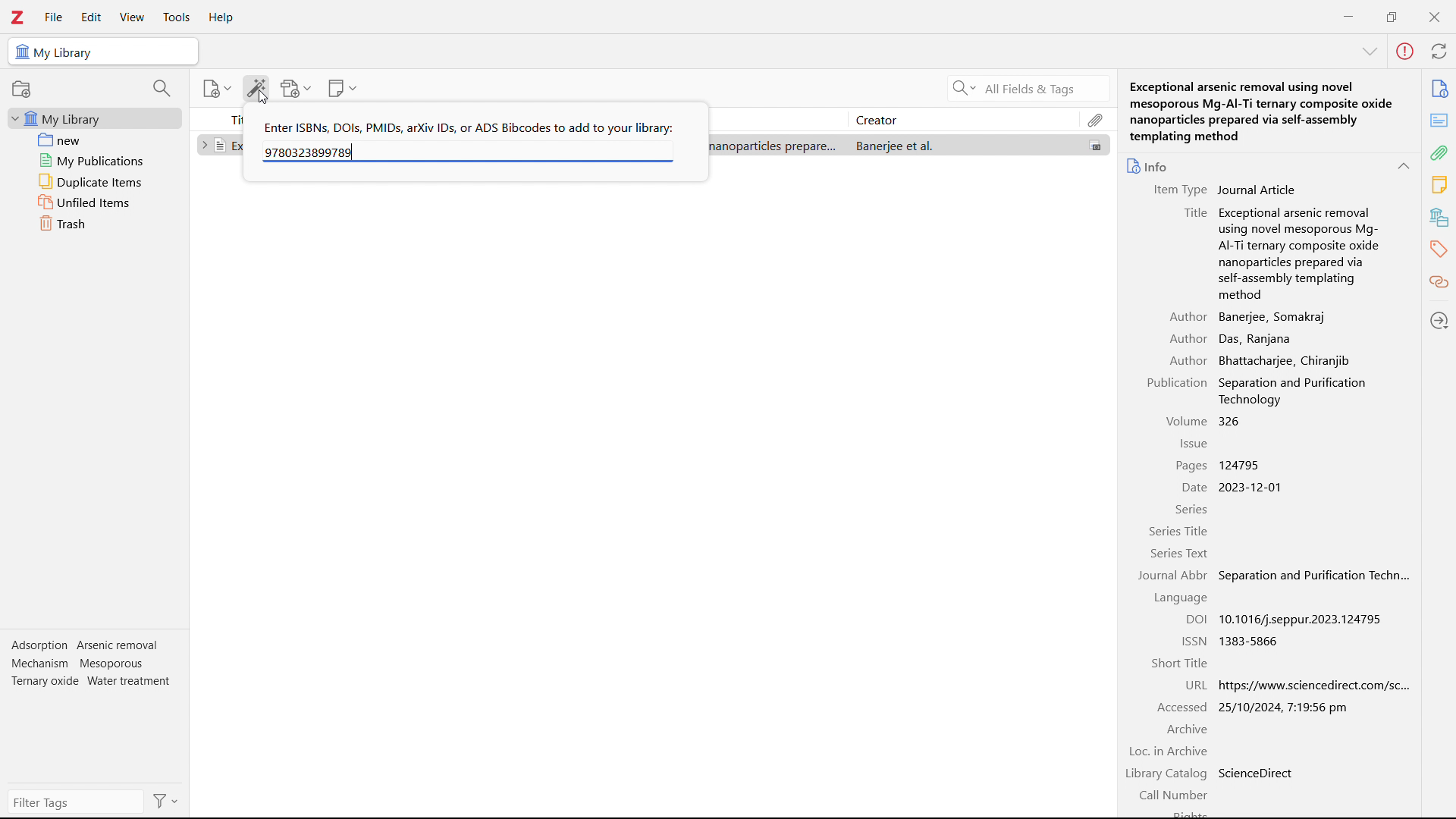 This screenshot has width=1456, height=819. Describe the element at coordinates (1169, 752) in the screenshot. I see `Locate in archive` at that location.